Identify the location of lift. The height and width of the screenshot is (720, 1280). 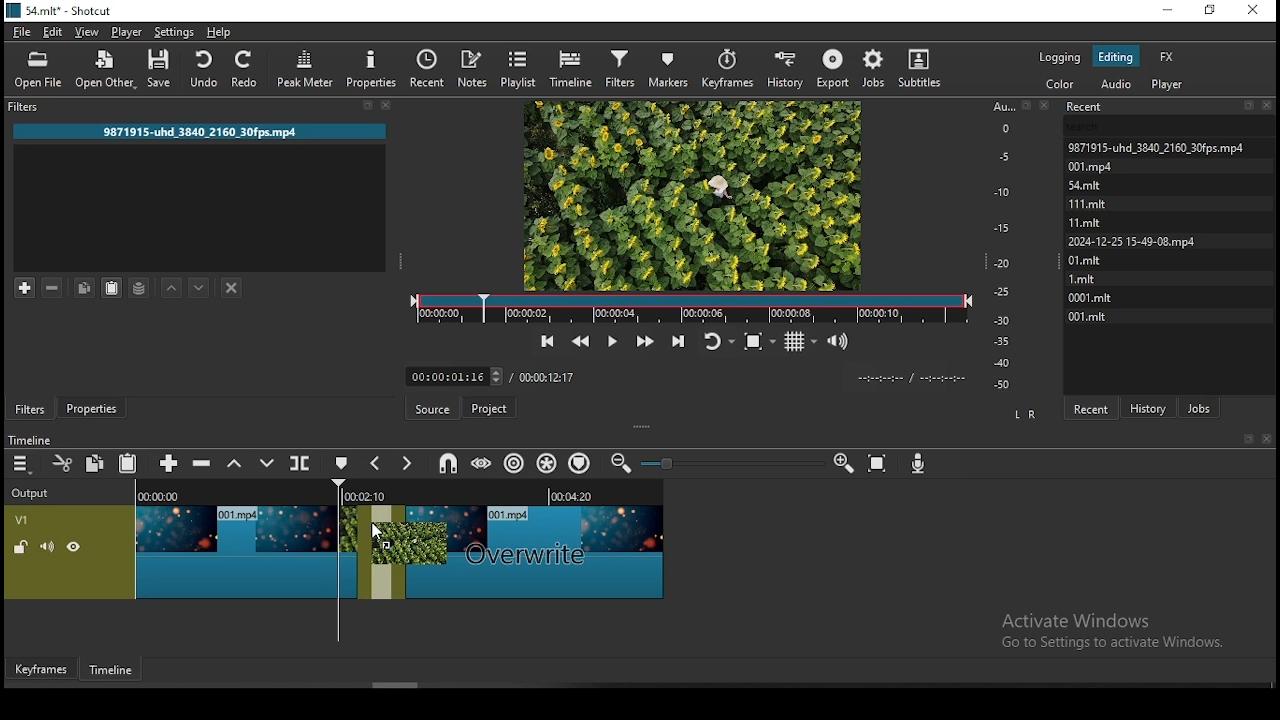
(236, 464).